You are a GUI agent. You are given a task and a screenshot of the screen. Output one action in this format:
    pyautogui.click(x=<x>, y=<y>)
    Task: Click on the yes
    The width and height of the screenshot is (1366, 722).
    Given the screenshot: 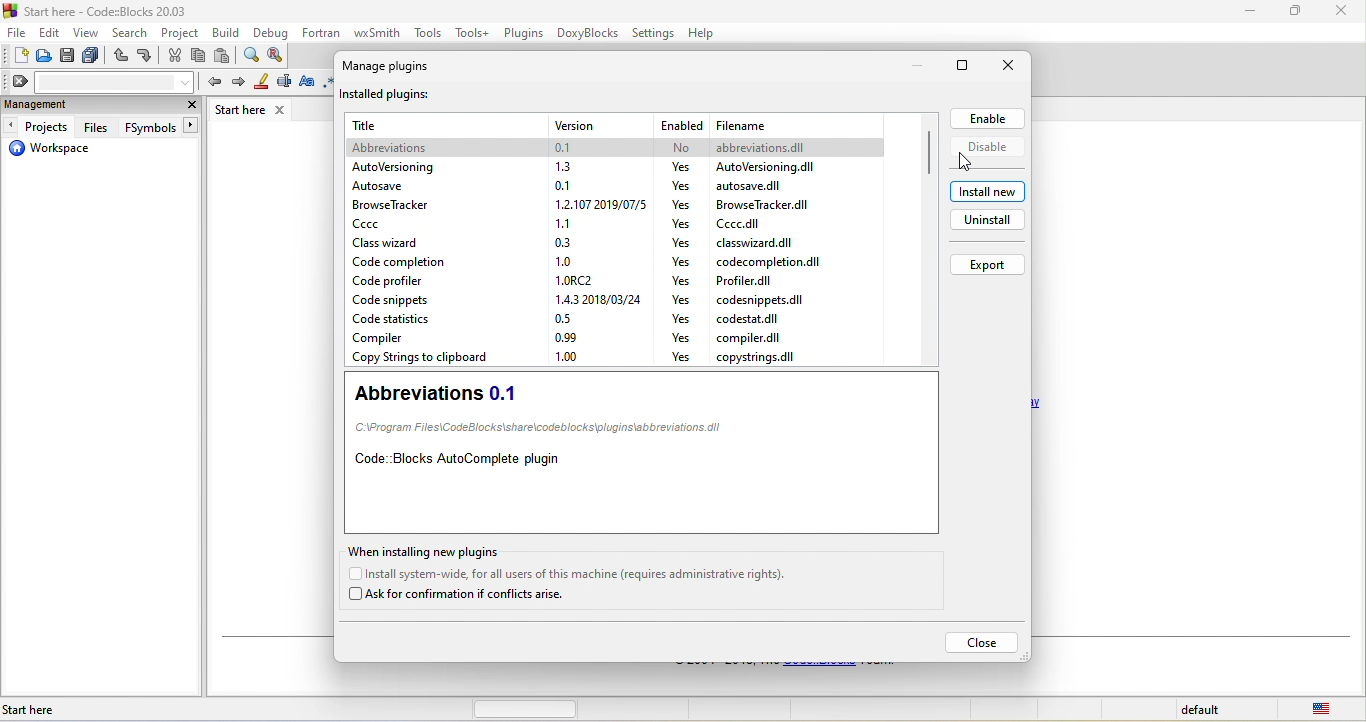 What is the action you would take?
    pyautogui.click(x=680, y=337)
    